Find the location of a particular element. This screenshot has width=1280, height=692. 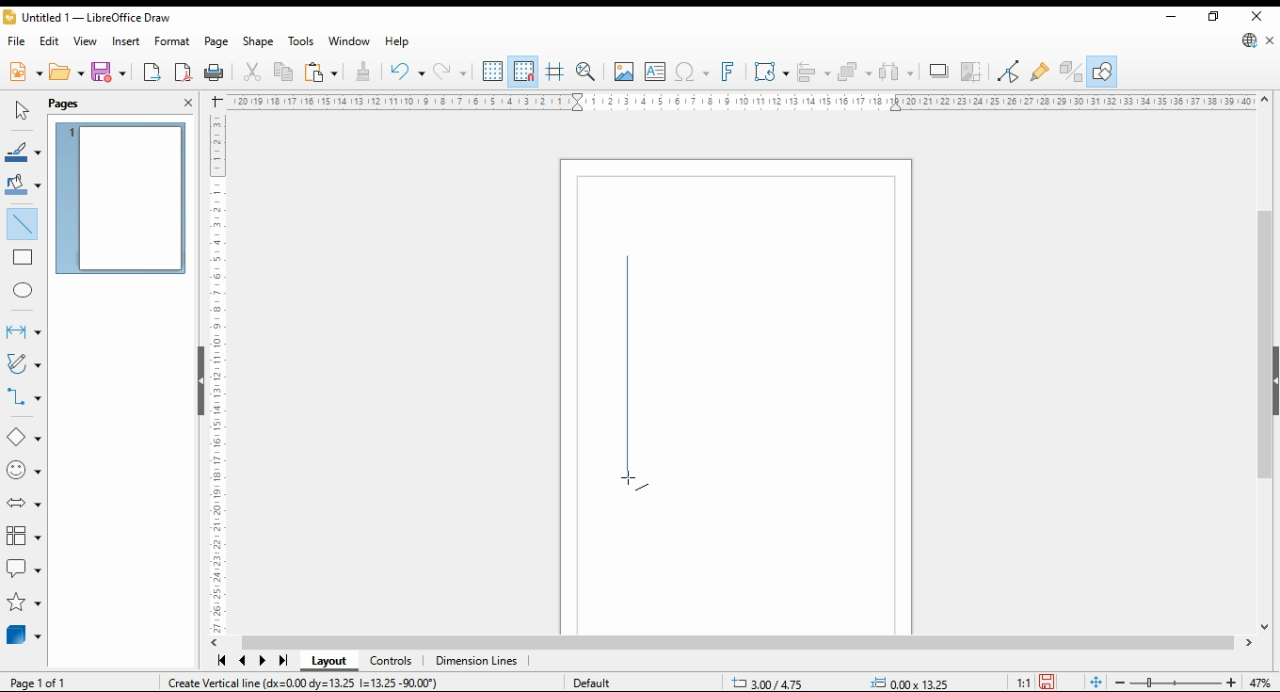

close pane is located at coordinates (187, 101).